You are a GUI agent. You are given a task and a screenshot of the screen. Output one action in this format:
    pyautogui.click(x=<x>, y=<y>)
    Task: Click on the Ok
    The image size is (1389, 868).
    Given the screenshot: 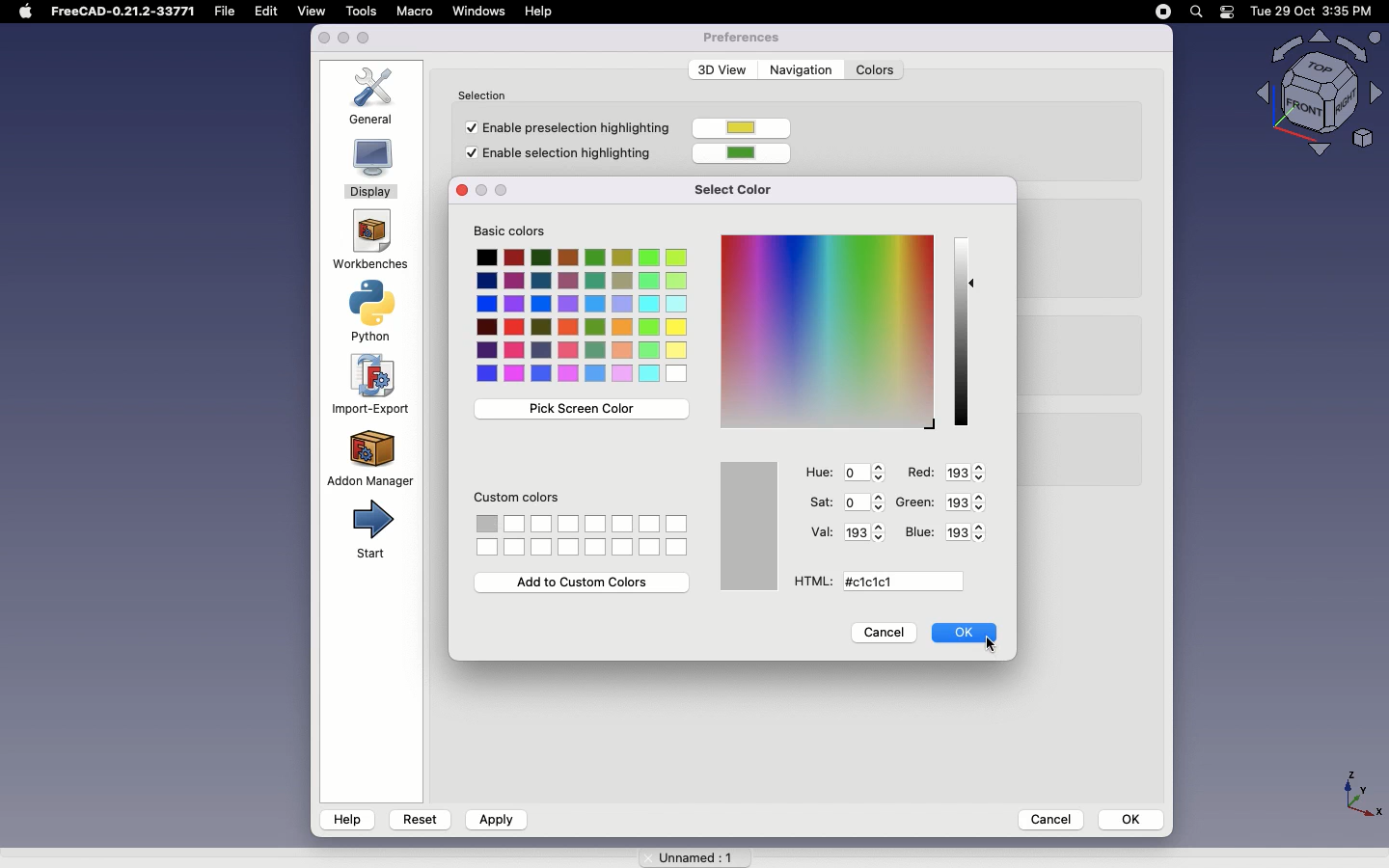 What is the action you would take?
    pyautogui.click(x=964, y=632)
    